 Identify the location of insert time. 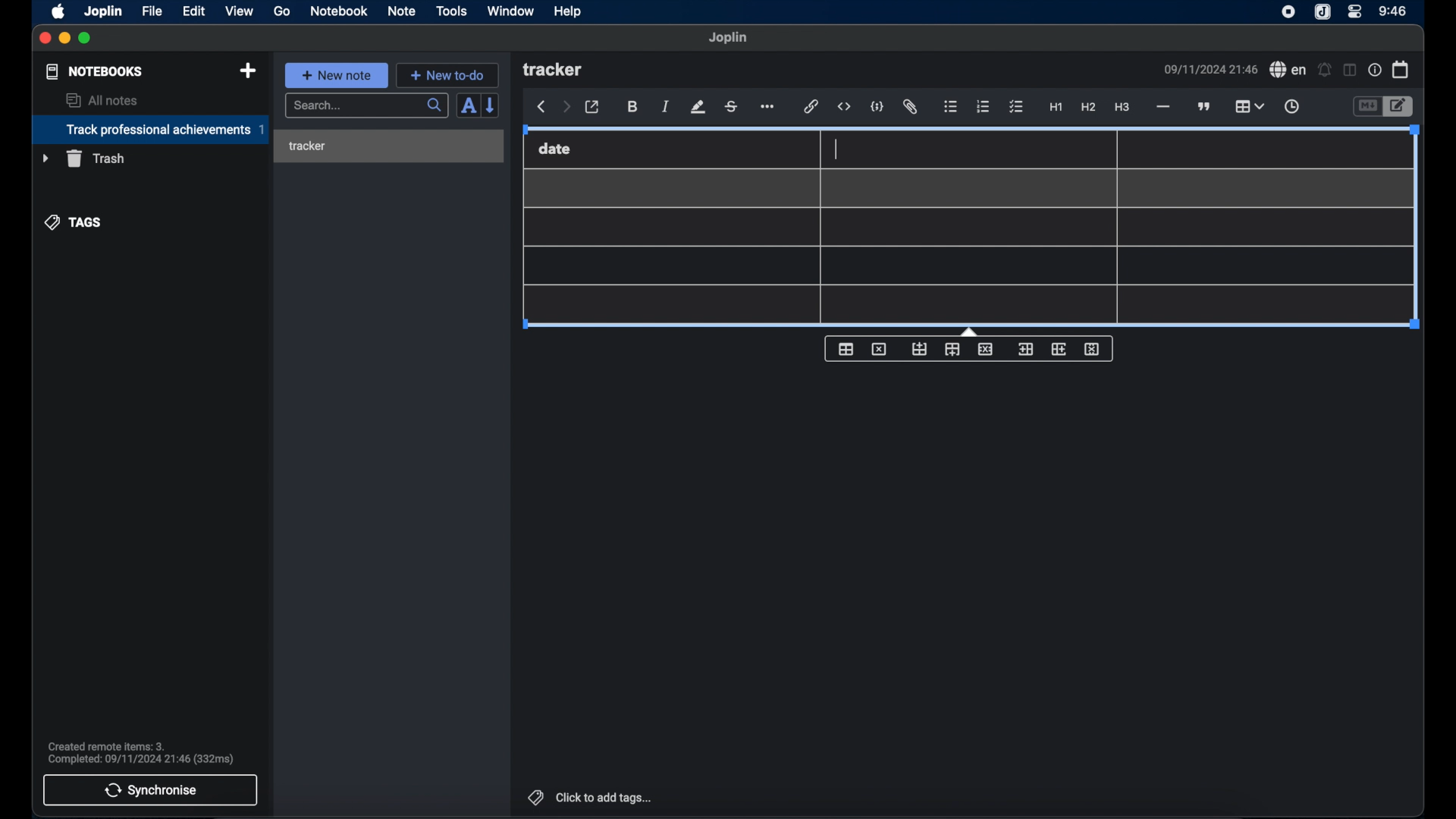
(1291, 107).